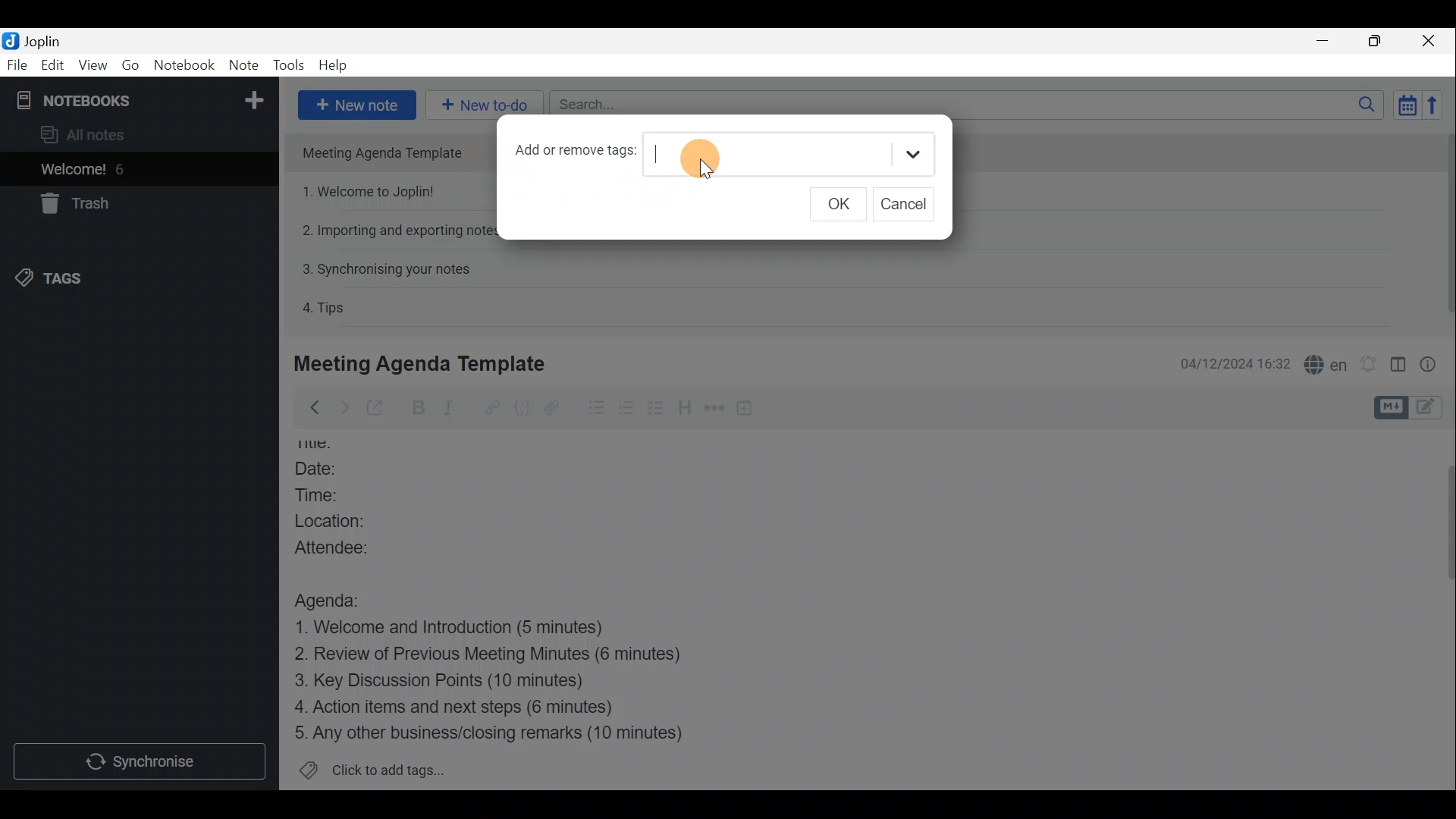  Describe the element at coordinates (445, 682) in the screenshot. I see `Key Discussion Points (10 minutes)` at that location.